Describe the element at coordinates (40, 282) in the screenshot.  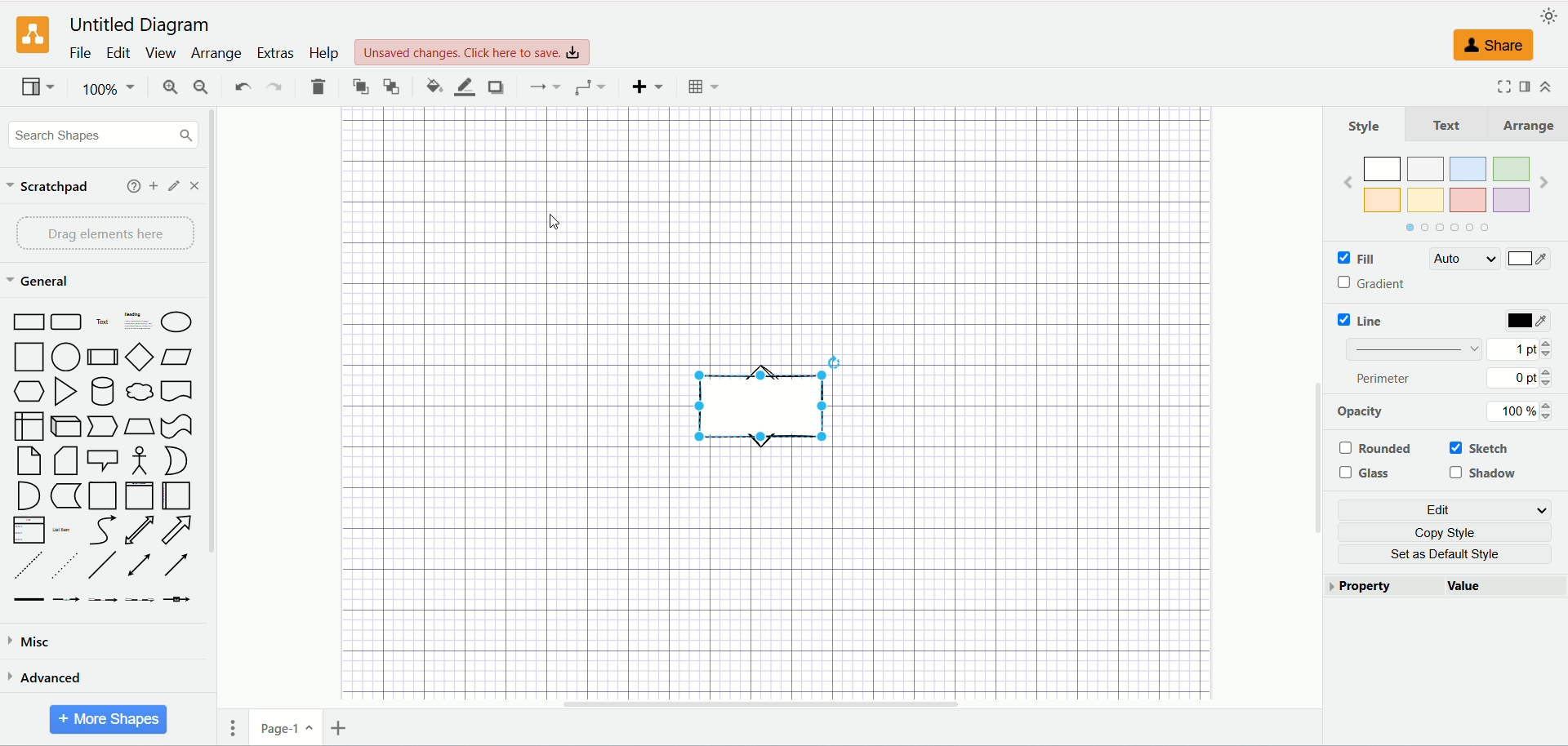
I see `general` at that location.